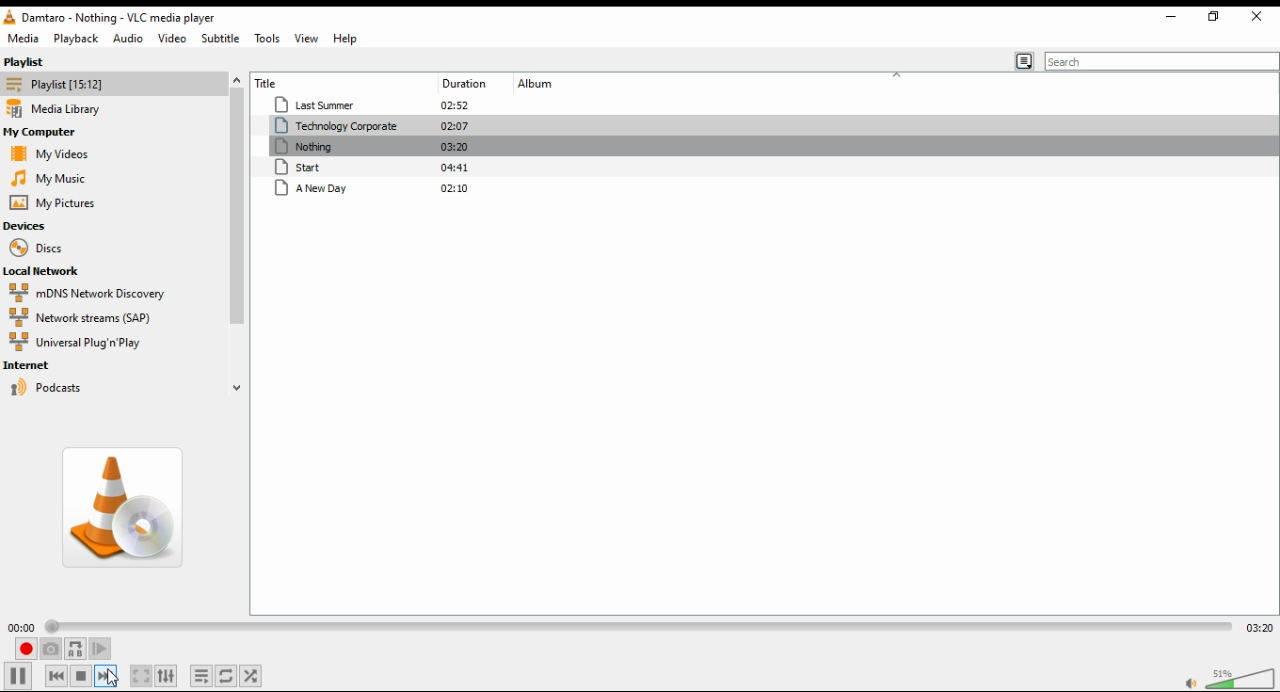 This screenshot has width=1280, height=692. Describe the element at coordinates (269, 39) in the screenshot. I see `tools` at that location.